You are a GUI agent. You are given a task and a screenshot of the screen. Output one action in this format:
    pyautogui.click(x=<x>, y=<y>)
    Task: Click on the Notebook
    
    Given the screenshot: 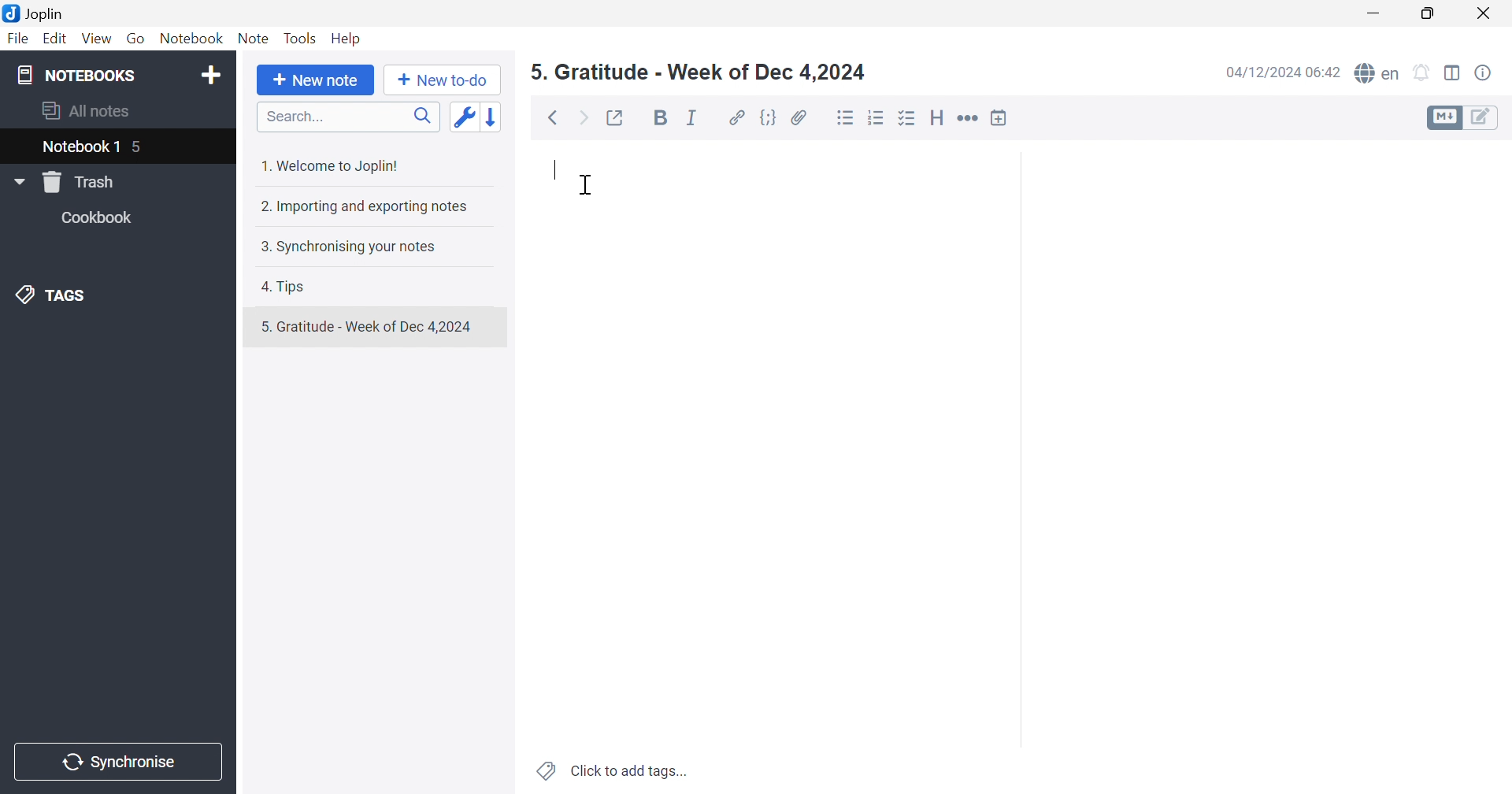 What is the action you would take?
    pyautogui.click(x=190, y=38)
    